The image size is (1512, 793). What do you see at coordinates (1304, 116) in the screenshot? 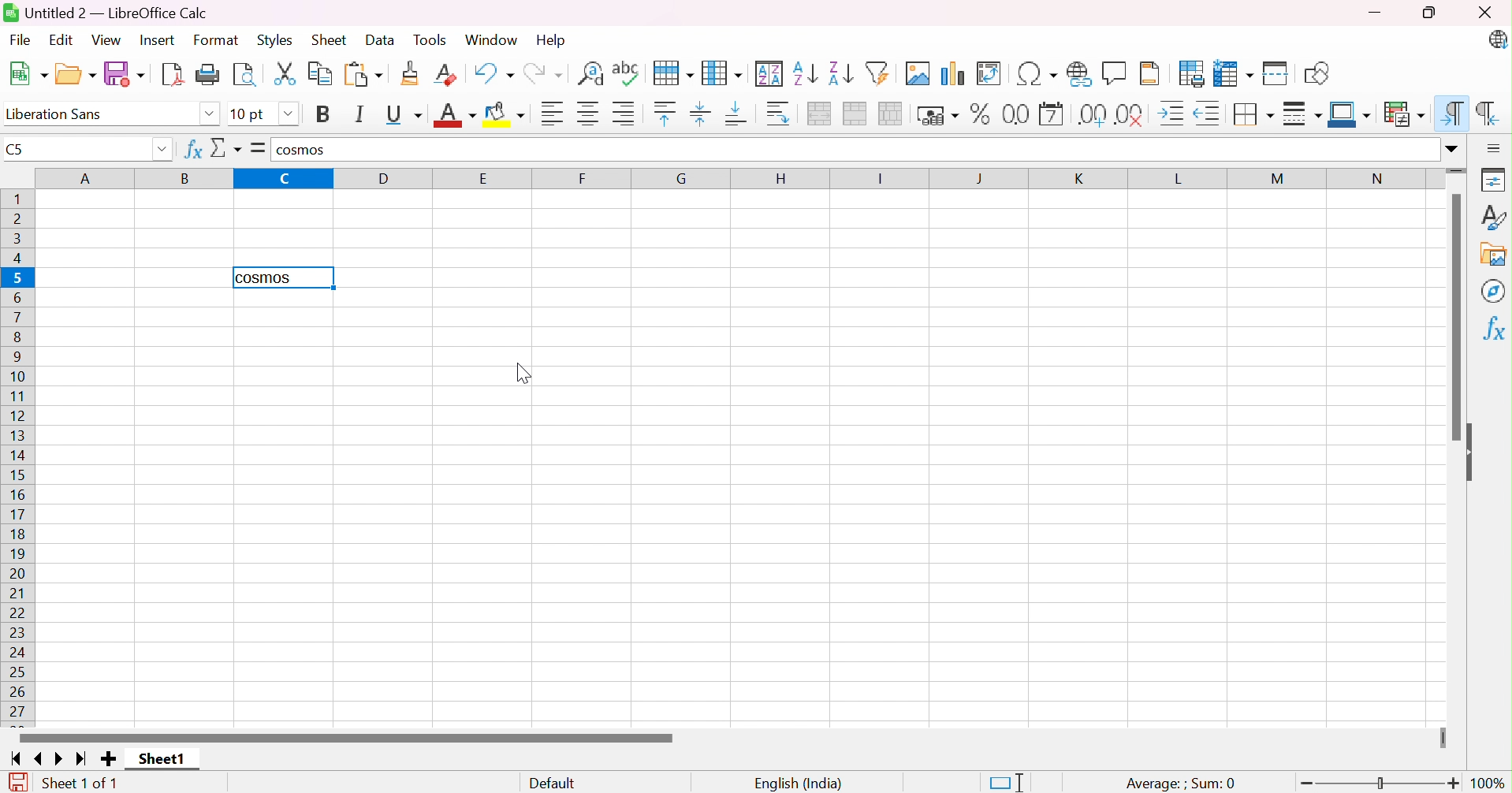
I see `Border Style` at bounding box center [1304, 116].